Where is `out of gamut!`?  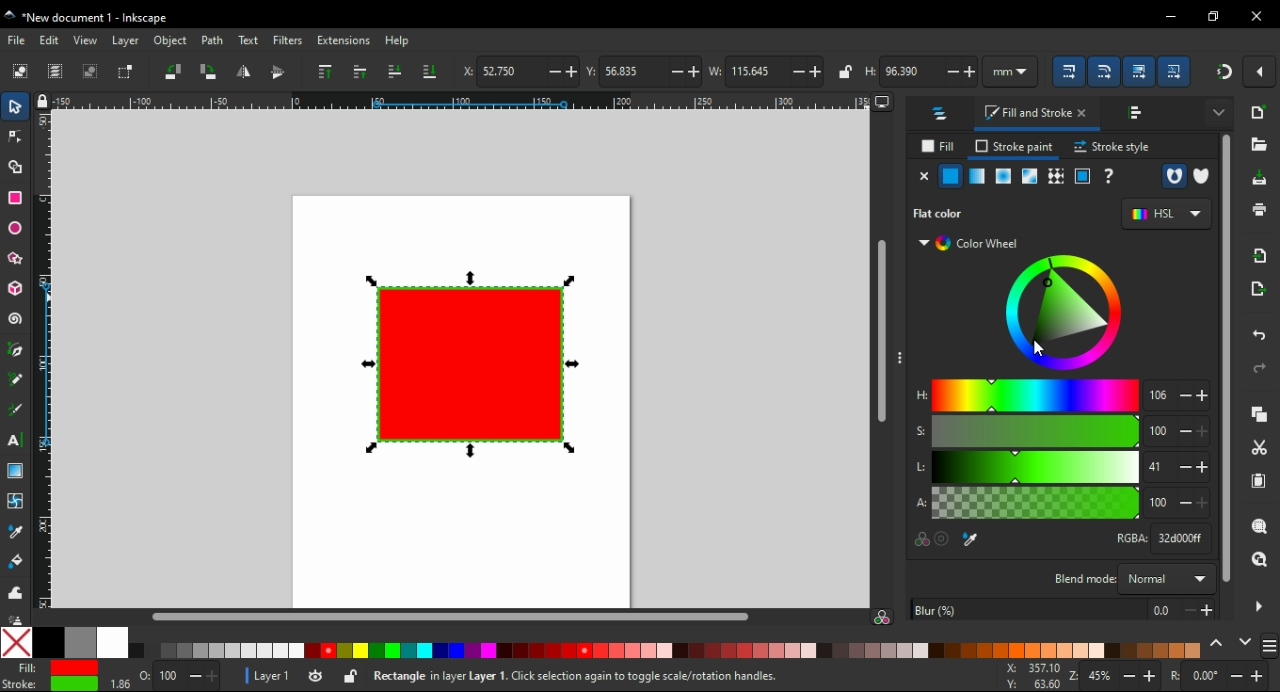
out of gamut! is located at coordinates (945, 540).